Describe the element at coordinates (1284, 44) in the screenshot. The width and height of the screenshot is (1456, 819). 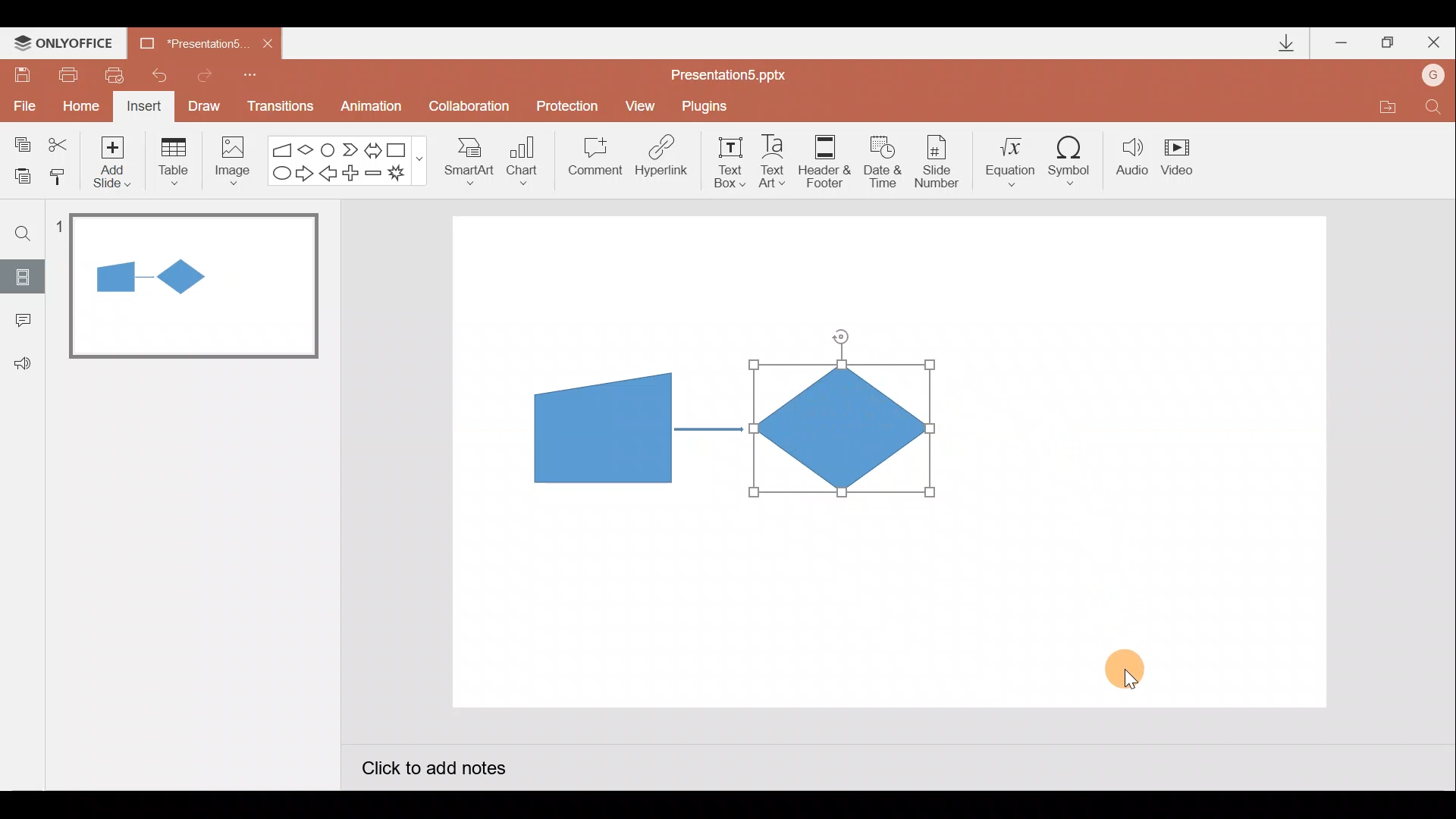
I see `Downloads` at that location.